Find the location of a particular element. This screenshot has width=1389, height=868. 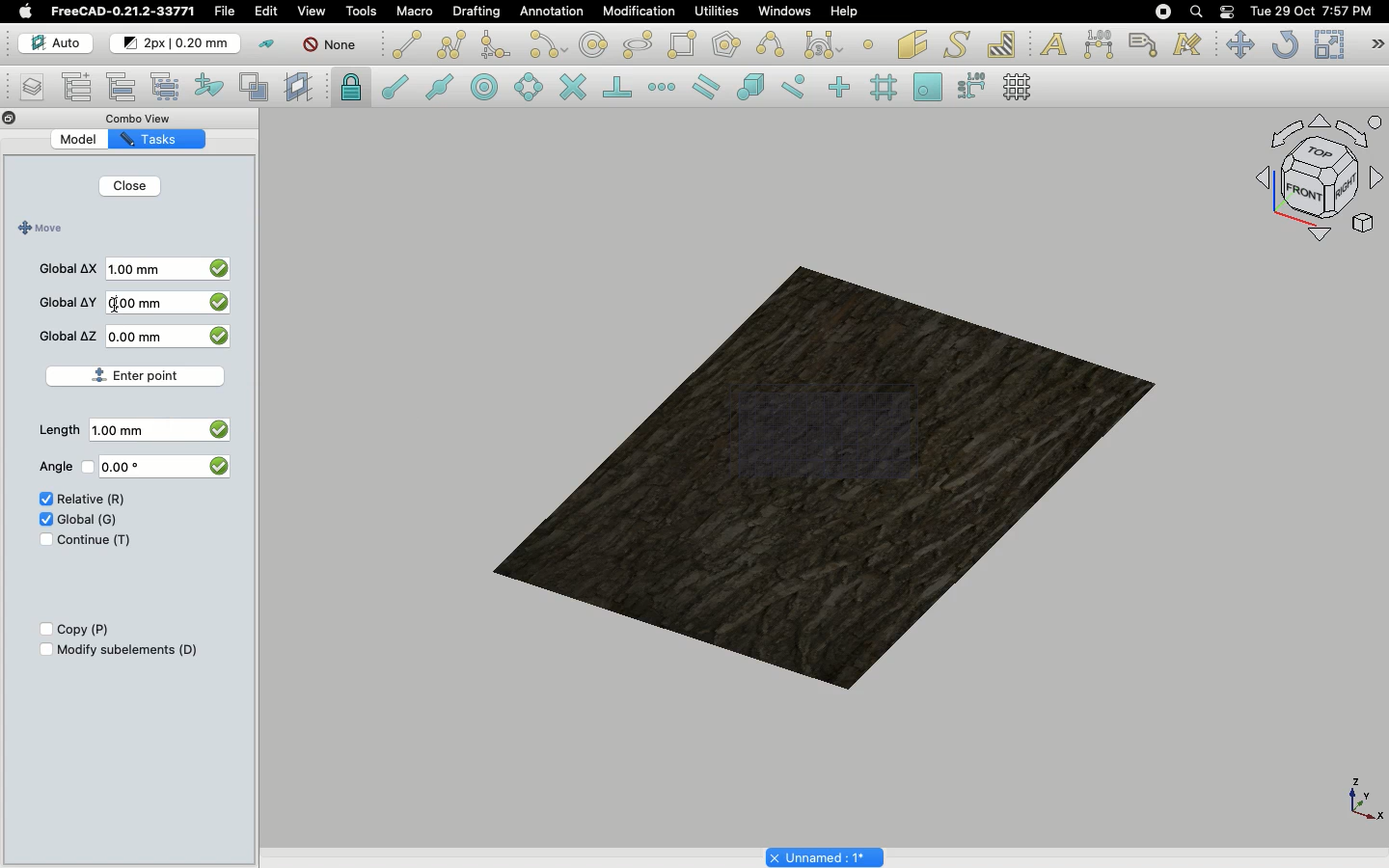

Snap parallel is located at coordinates (706, 87).